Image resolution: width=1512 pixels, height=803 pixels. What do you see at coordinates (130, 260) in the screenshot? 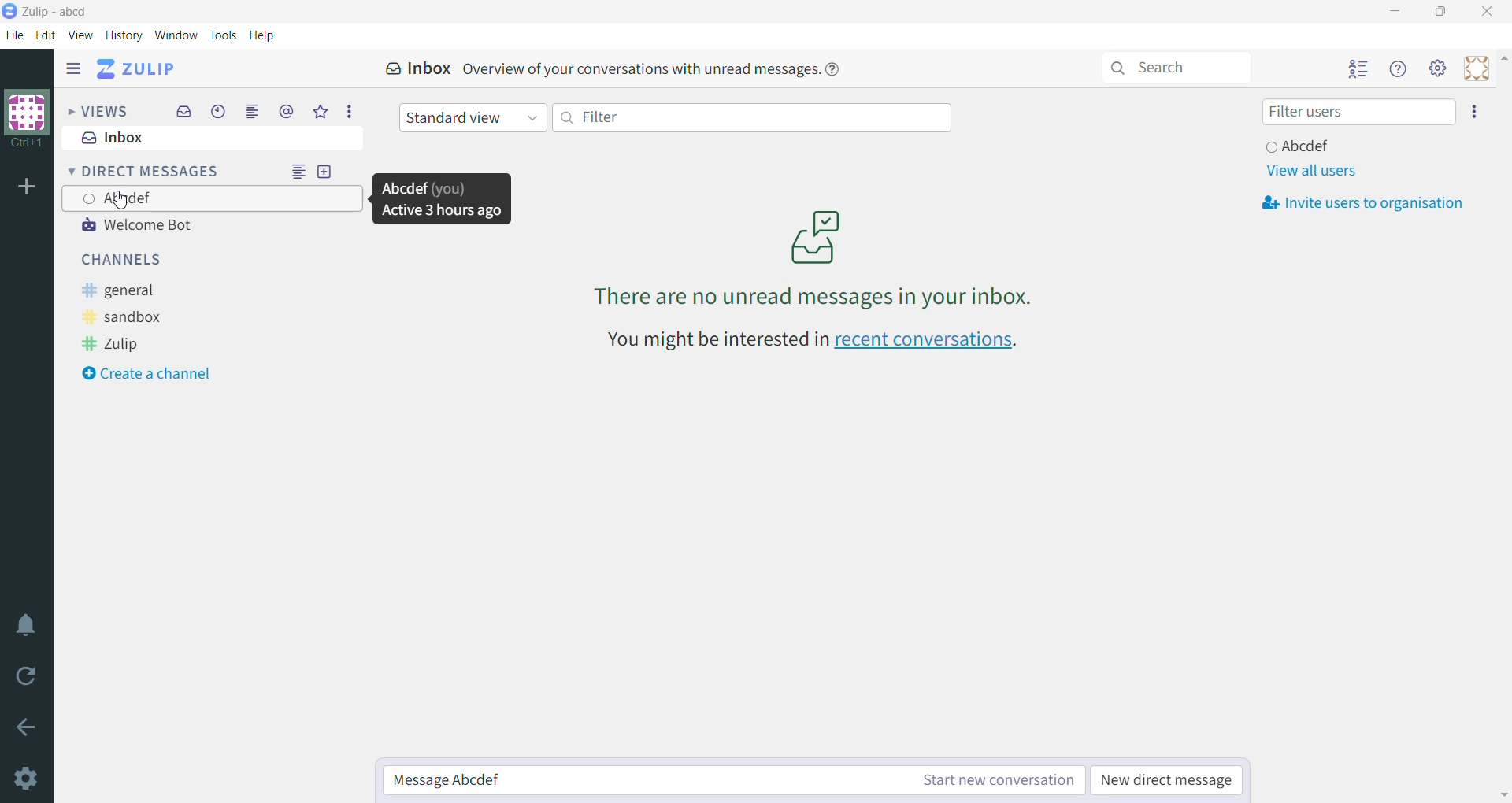
I see `Channels` at bounding box center [130, 260].